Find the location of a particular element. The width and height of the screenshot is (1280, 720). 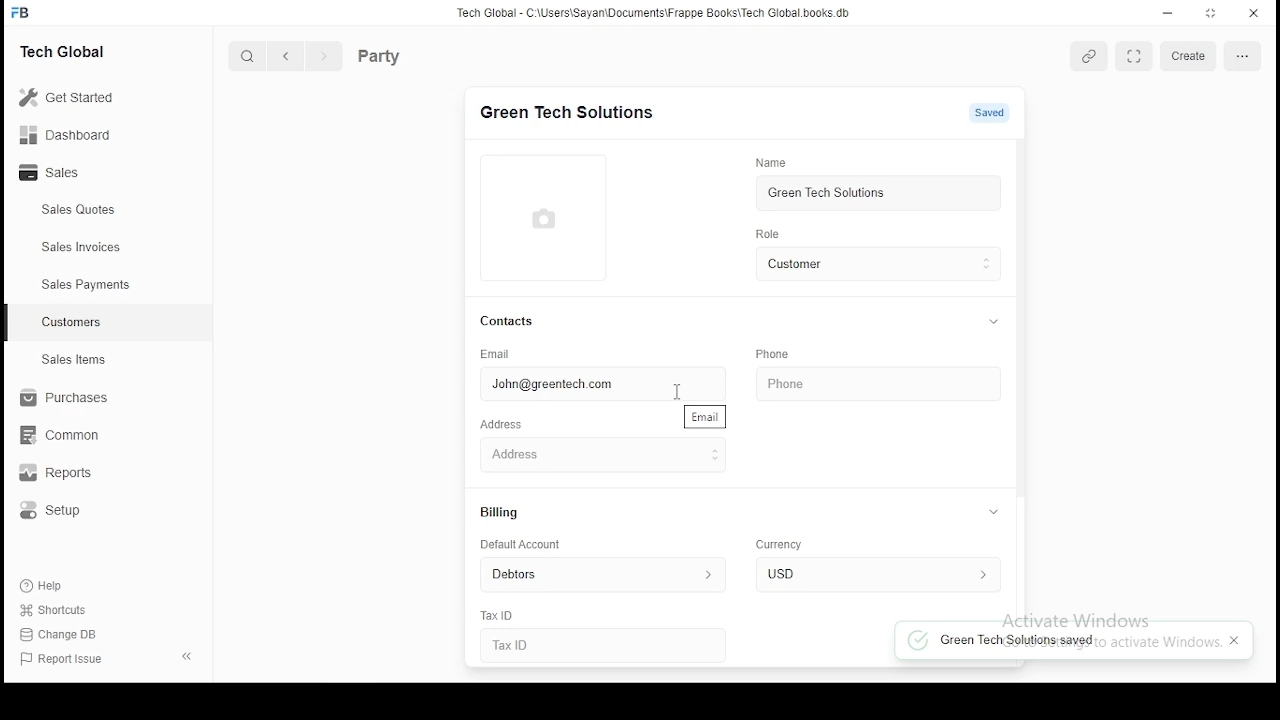

toggle between form and fullscreen is located at coordinates (1133, 59).